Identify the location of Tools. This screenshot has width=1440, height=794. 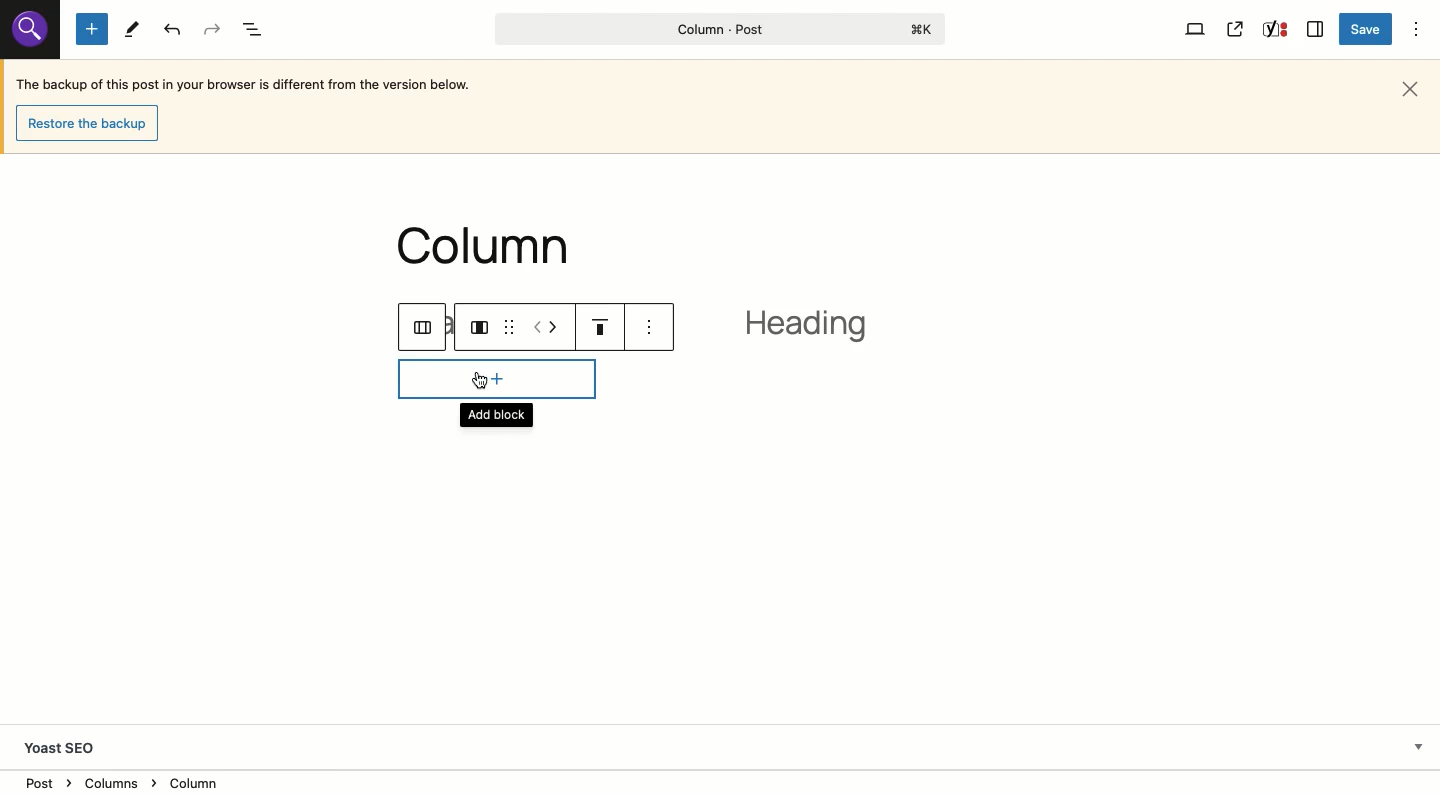
(132, 30).